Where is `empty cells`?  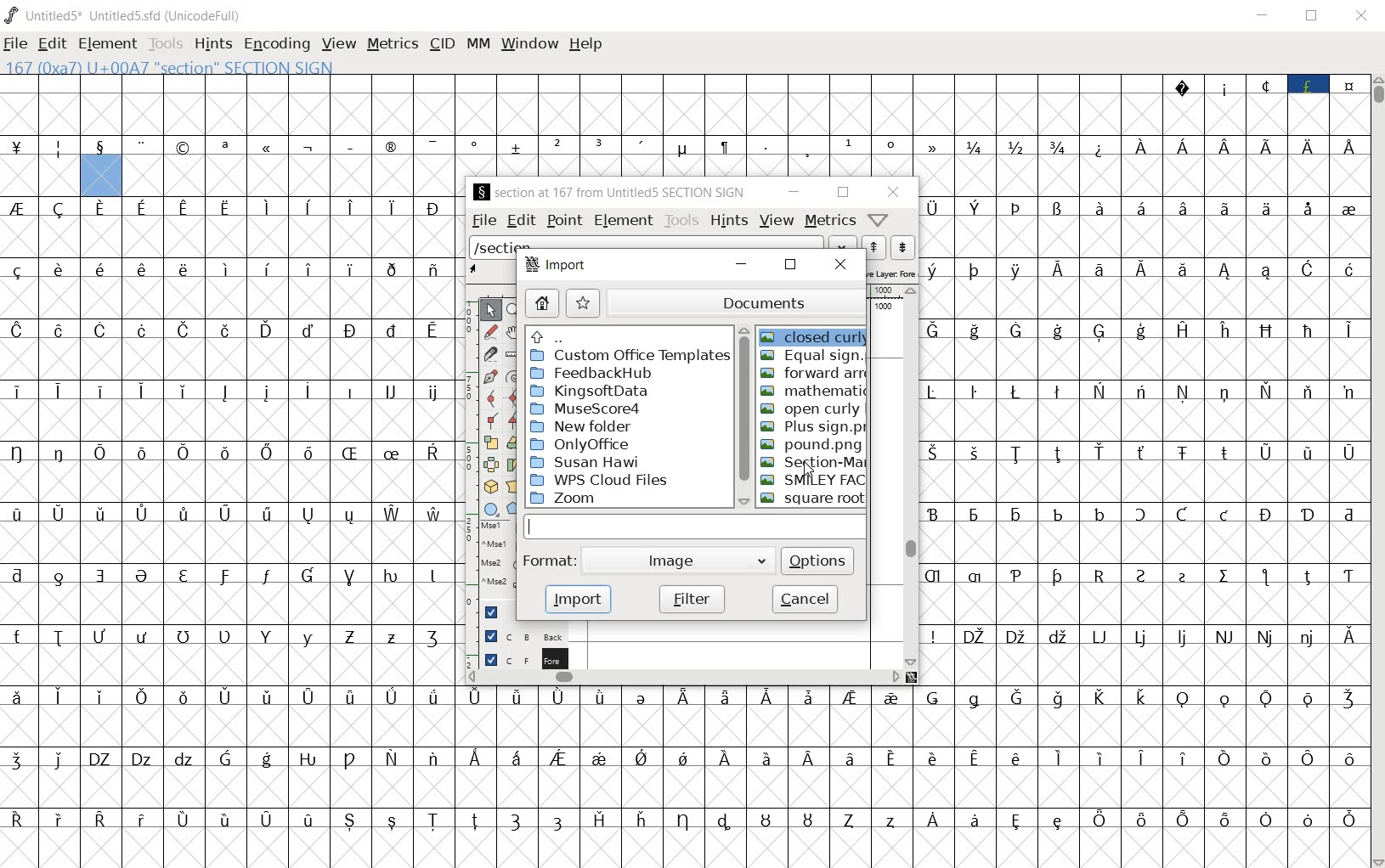
empty cells is located at coordinates (229, 541).